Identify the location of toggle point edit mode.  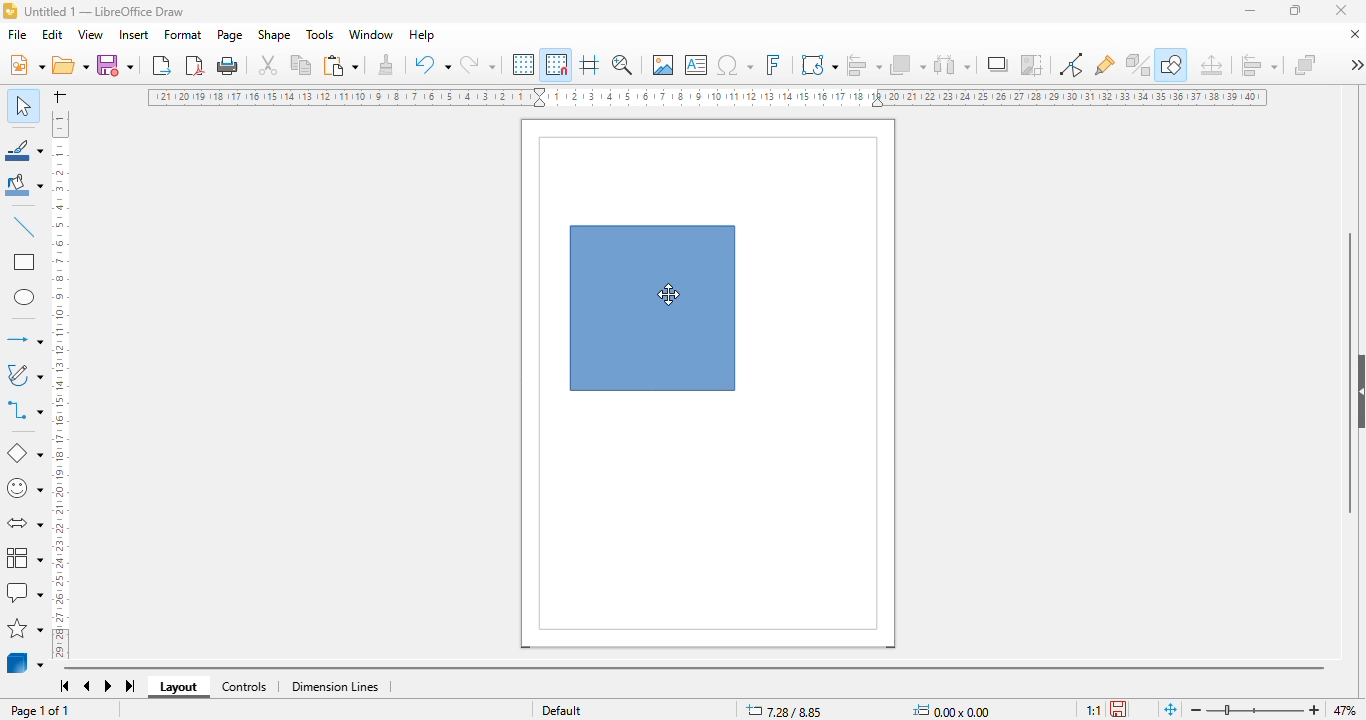
(1071, 65).